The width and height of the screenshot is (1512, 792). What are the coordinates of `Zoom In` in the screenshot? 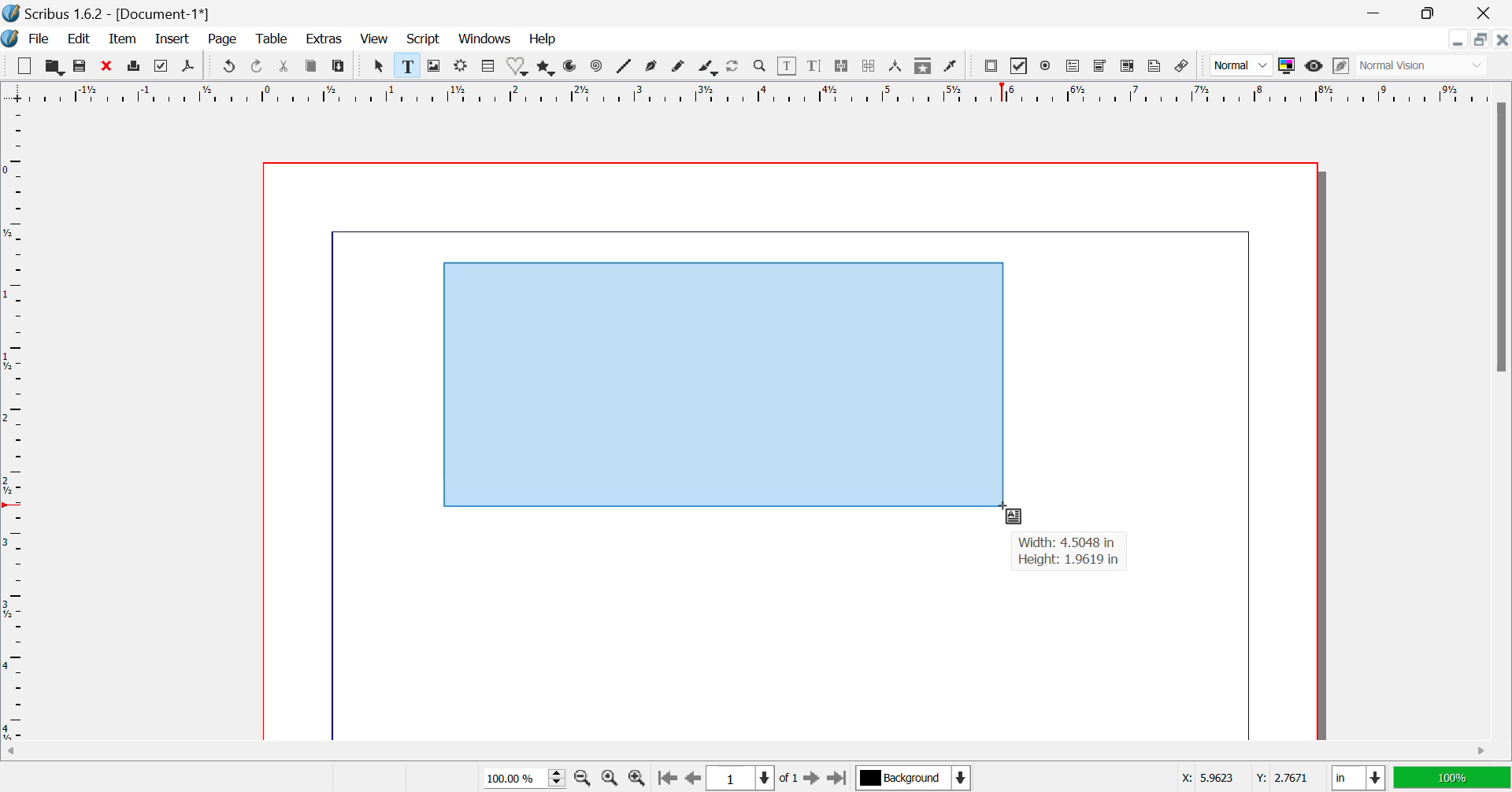 It's located at (636, 779).